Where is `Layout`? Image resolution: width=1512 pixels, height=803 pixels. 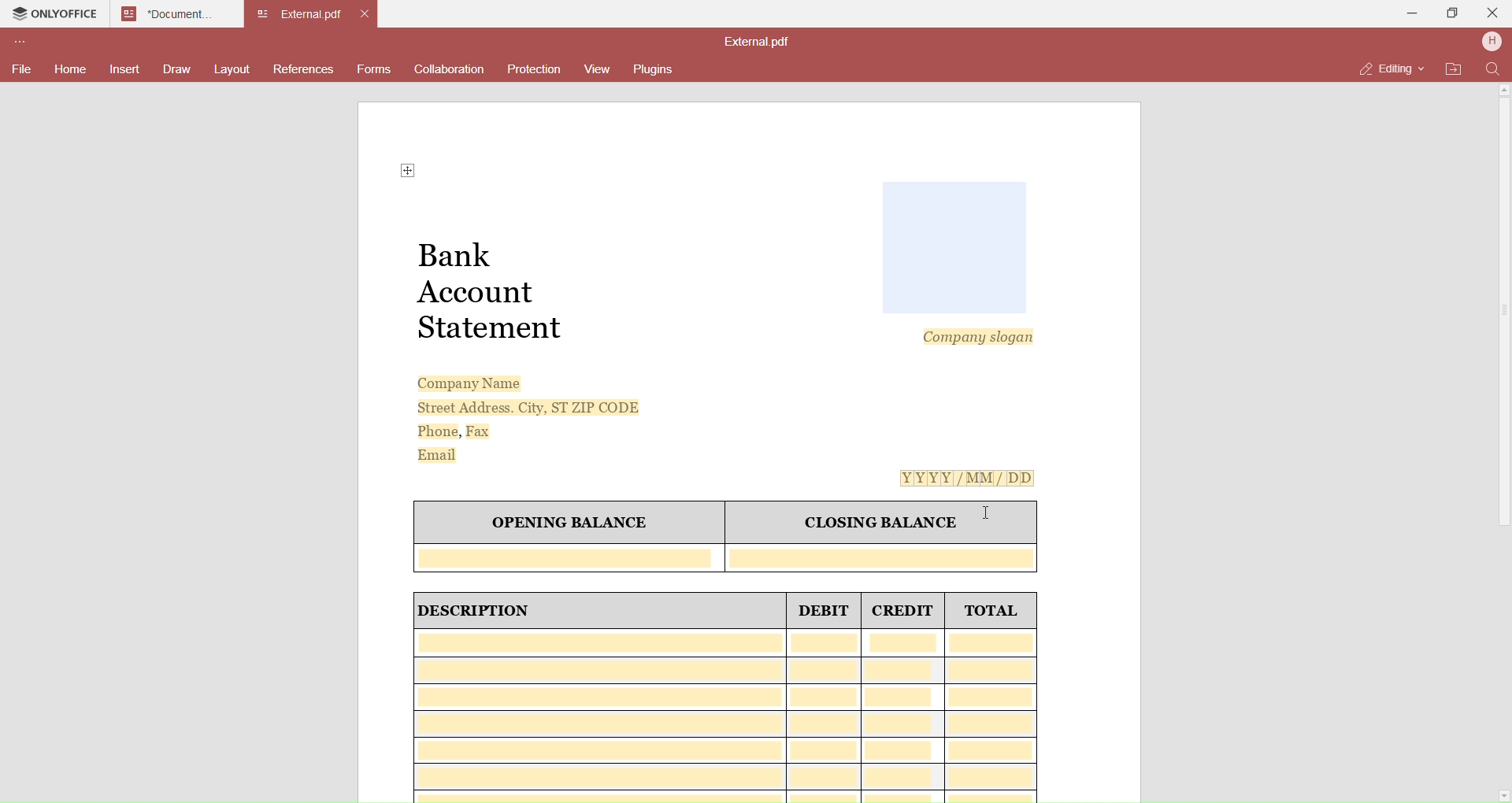 Layout is located at coordinates (232, 69).